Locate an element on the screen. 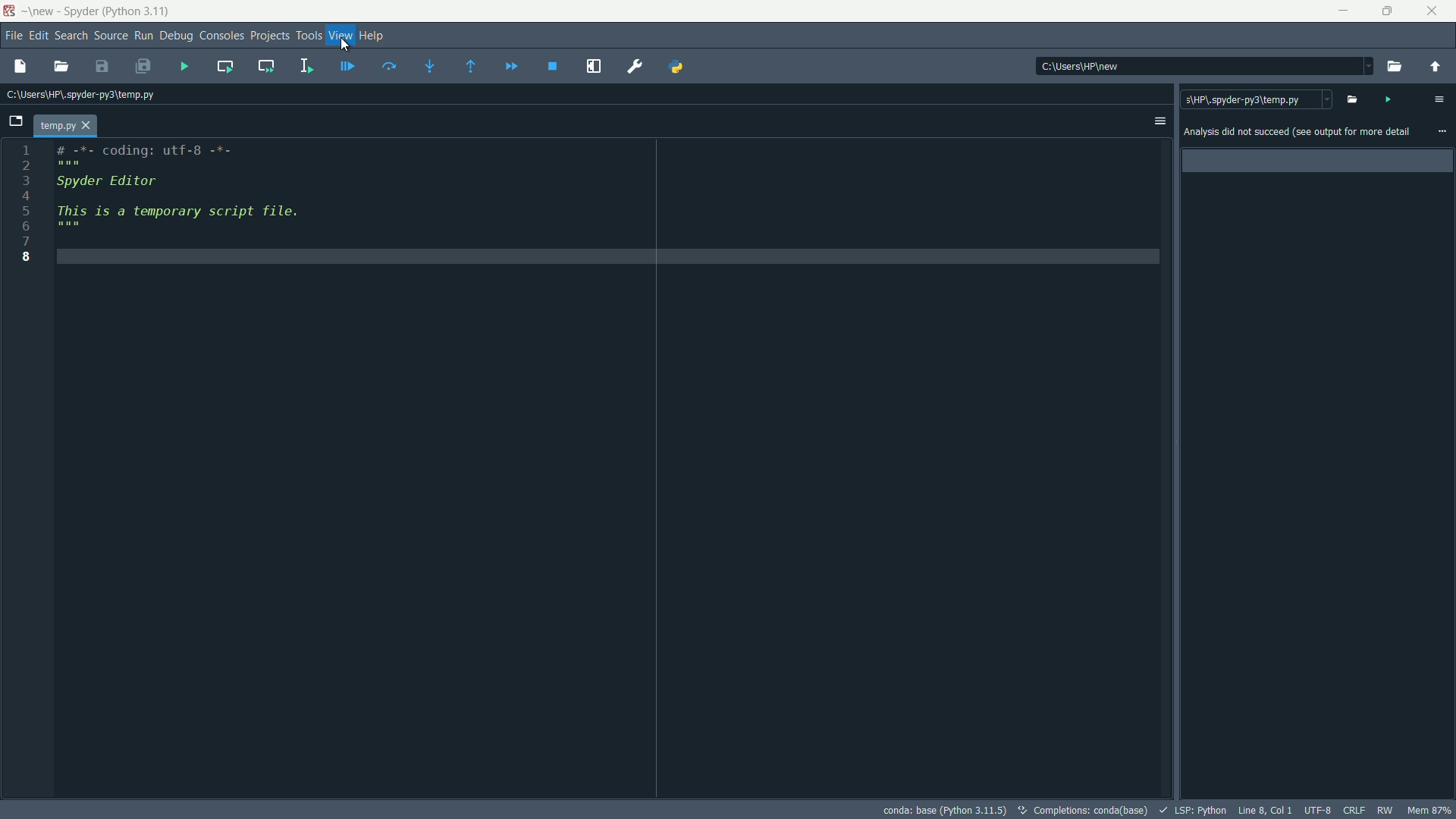 The image size is (1456, 819). tools menu is located at coordinates (309, 37).